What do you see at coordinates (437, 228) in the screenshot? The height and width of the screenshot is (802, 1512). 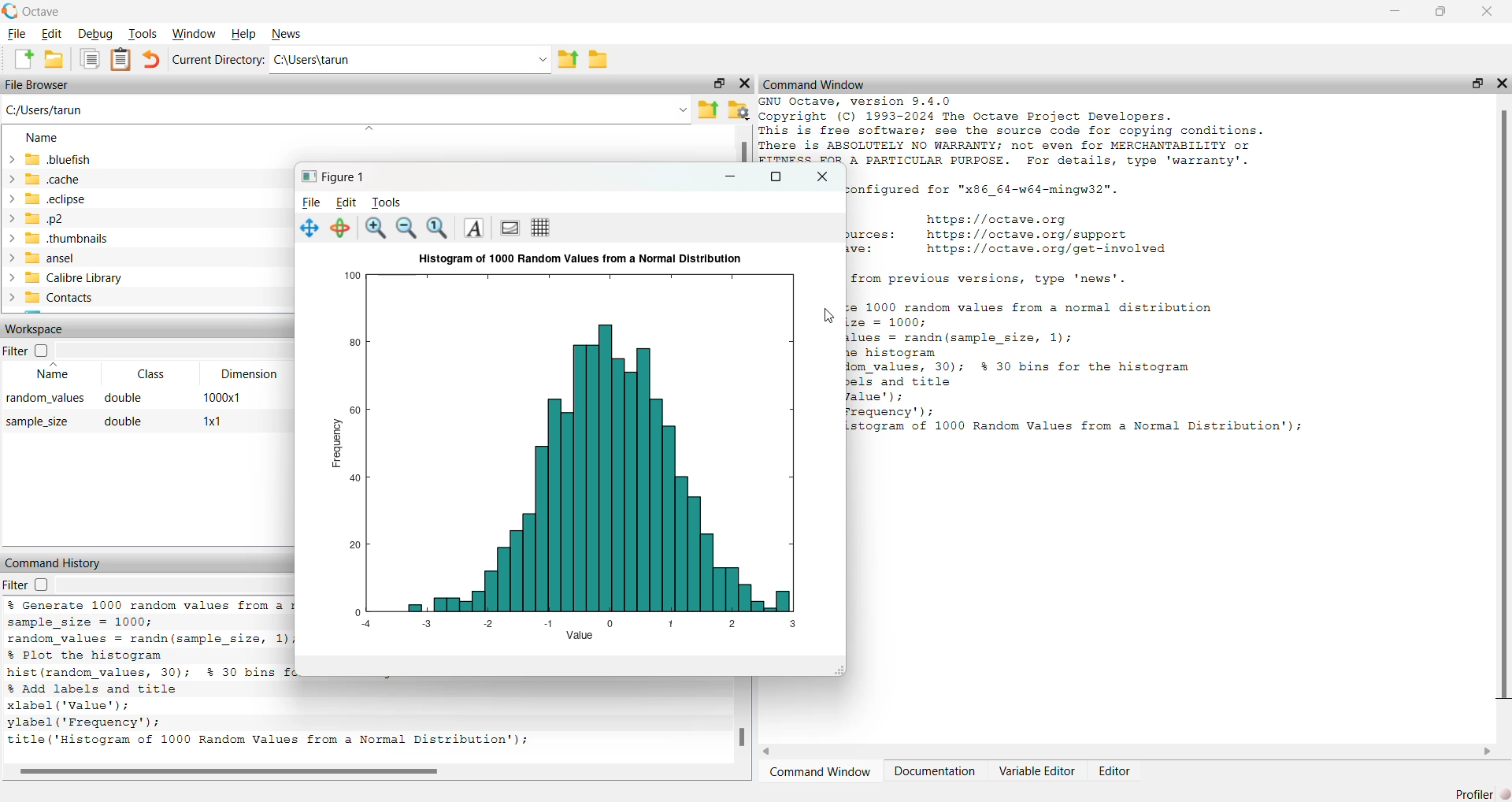 I see `zoom to fit` at bounding box center [437, 228].